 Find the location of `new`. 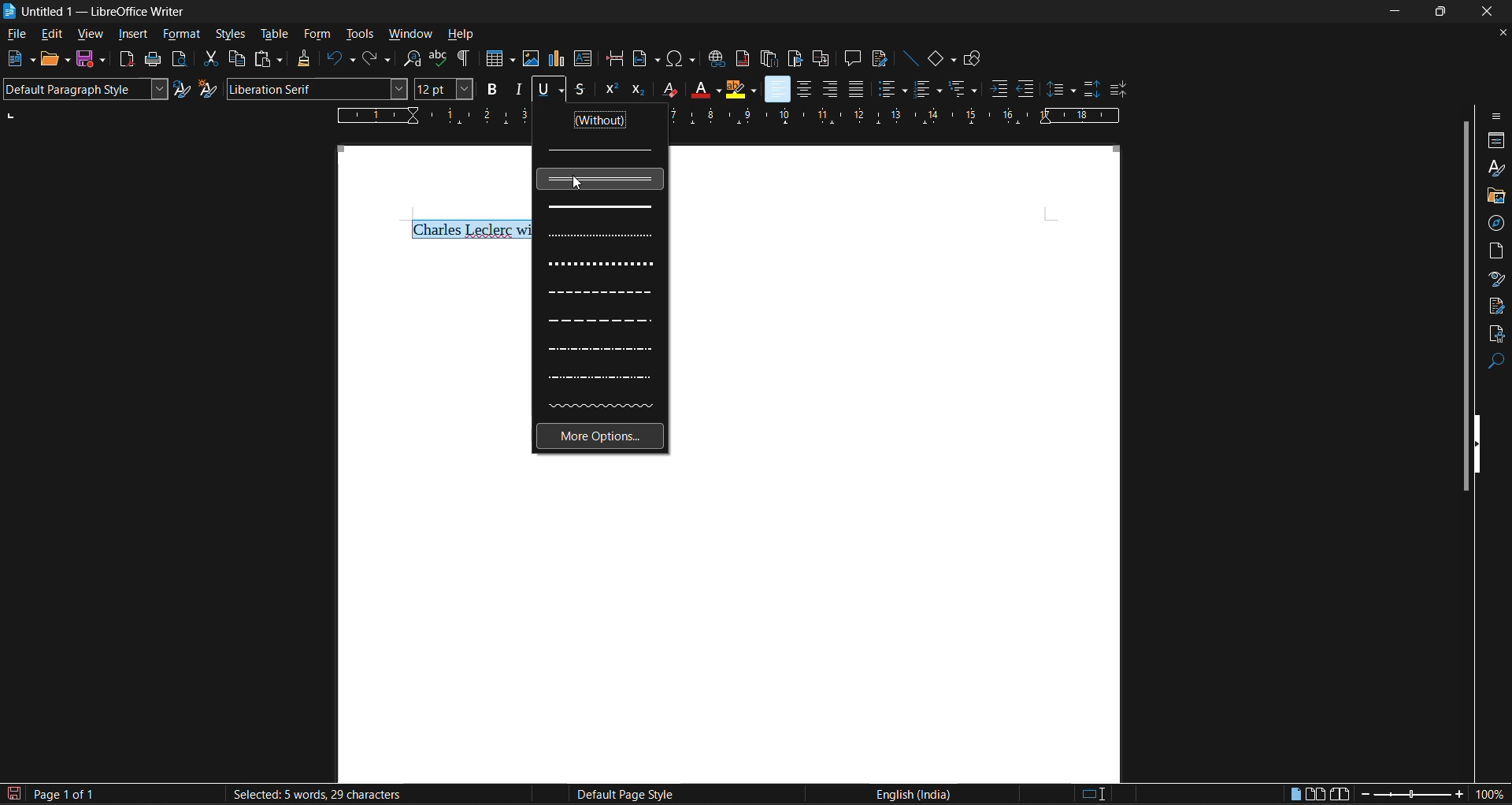

new is located at coordinates (20, 59).